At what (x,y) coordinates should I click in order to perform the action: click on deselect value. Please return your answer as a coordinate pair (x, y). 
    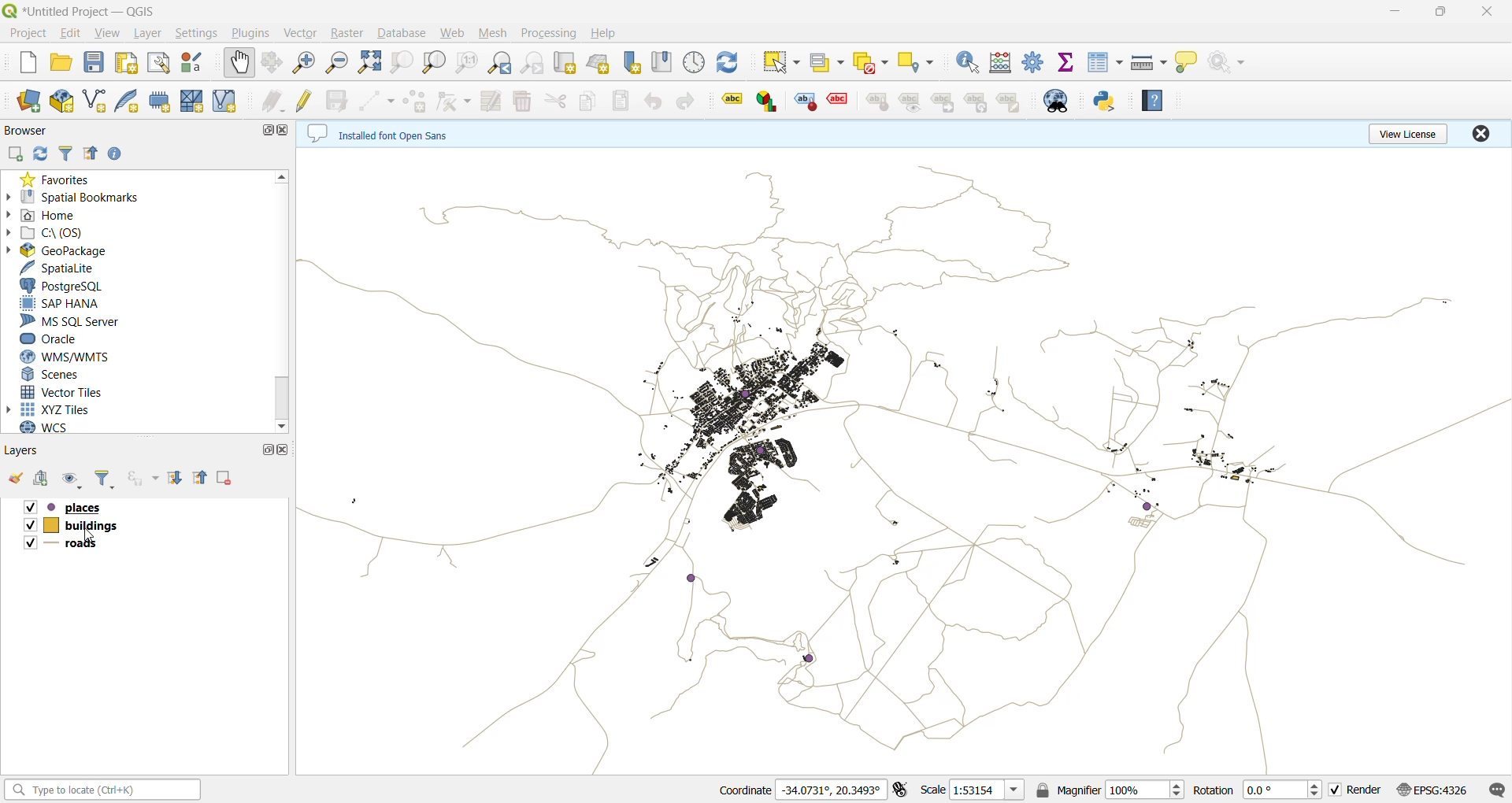
    Looking at the image, I should click on (869, 61).